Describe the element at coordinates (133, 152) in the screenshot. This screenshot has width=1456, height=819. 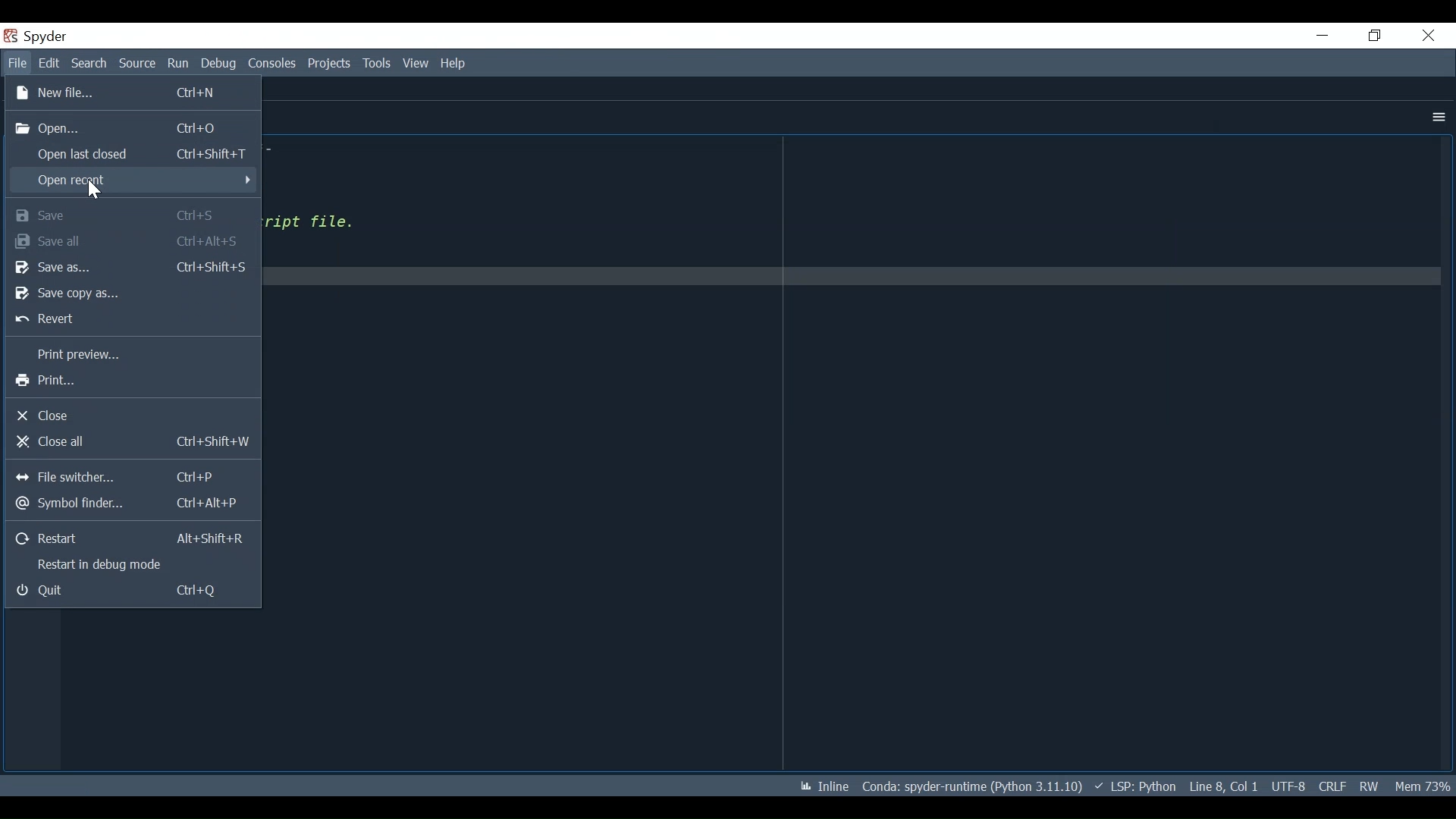
I see `Open last closed` at that location.